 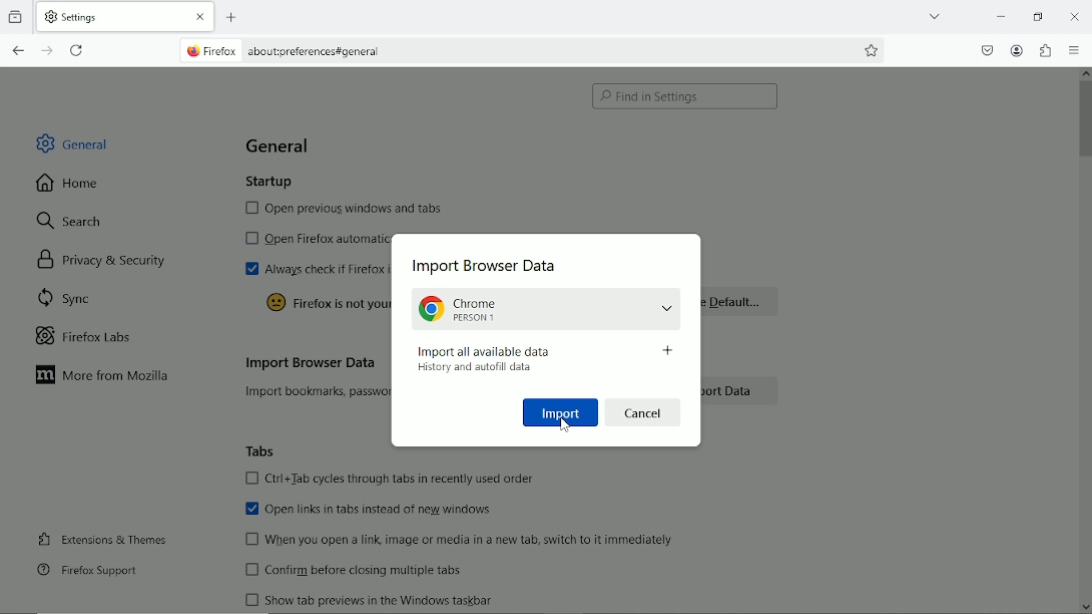 What do you see at coordinates (1085, 74) in the screenshot?
I see `scroll up` at bounding box center [1085, 74].